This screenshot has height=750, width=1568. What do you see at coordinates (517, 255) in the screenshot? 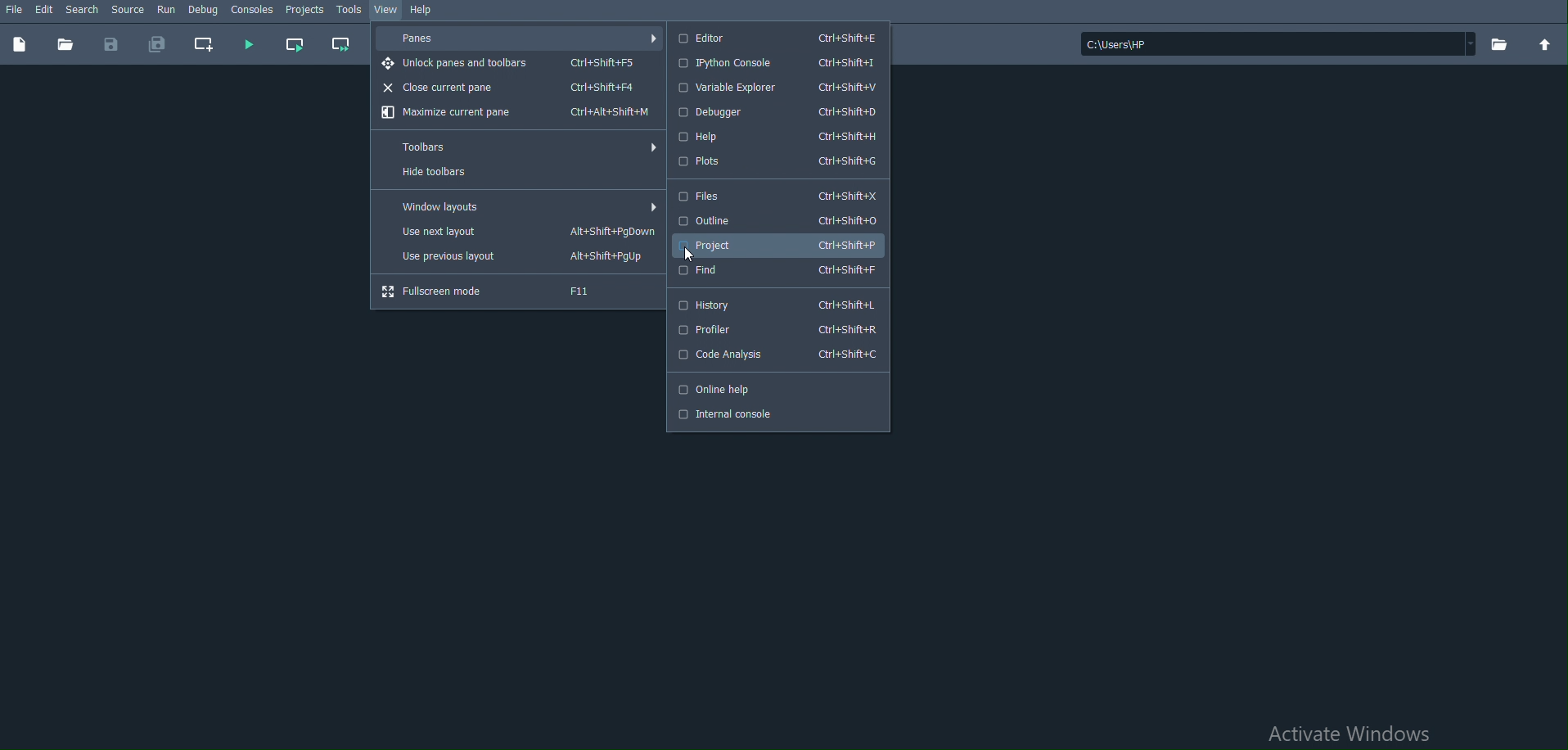
I see `Use previous layout` at bounding box center [517, 255].